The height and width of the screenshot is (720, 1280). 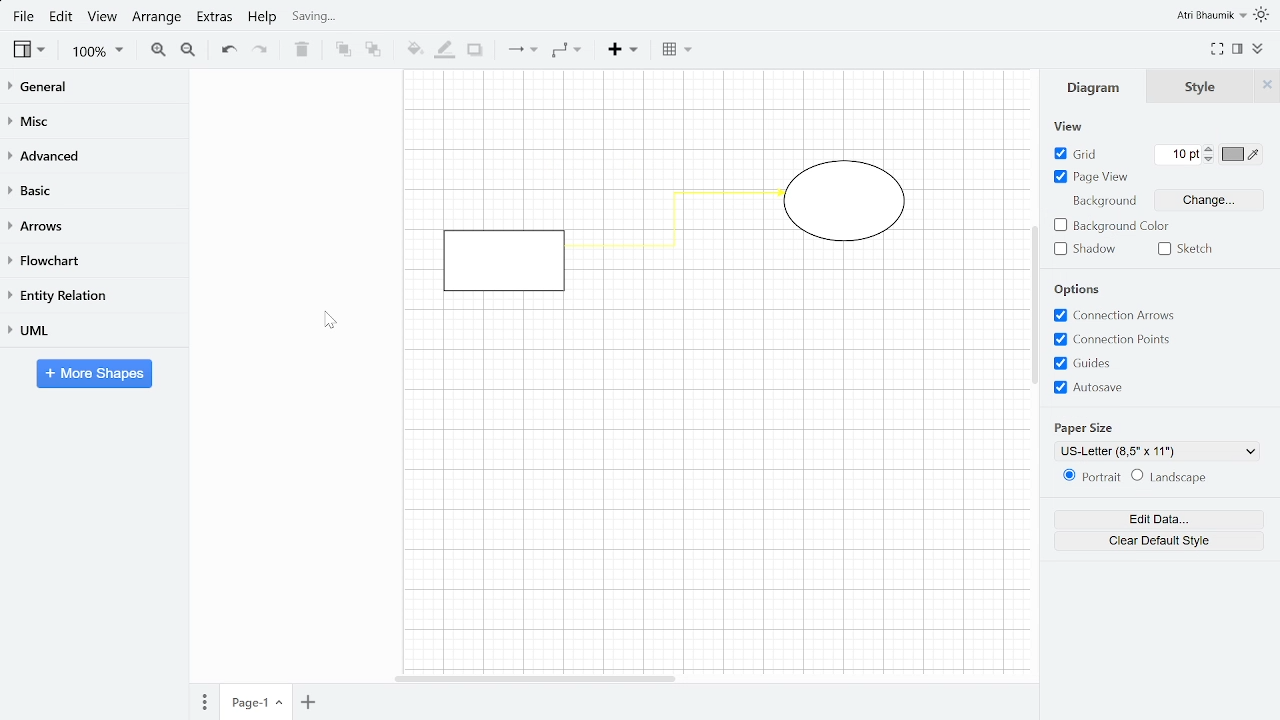 What do you see at coordinates (1238, 153) in the screenshot?
I see `Grid color` at bounding box center [1238, 153].